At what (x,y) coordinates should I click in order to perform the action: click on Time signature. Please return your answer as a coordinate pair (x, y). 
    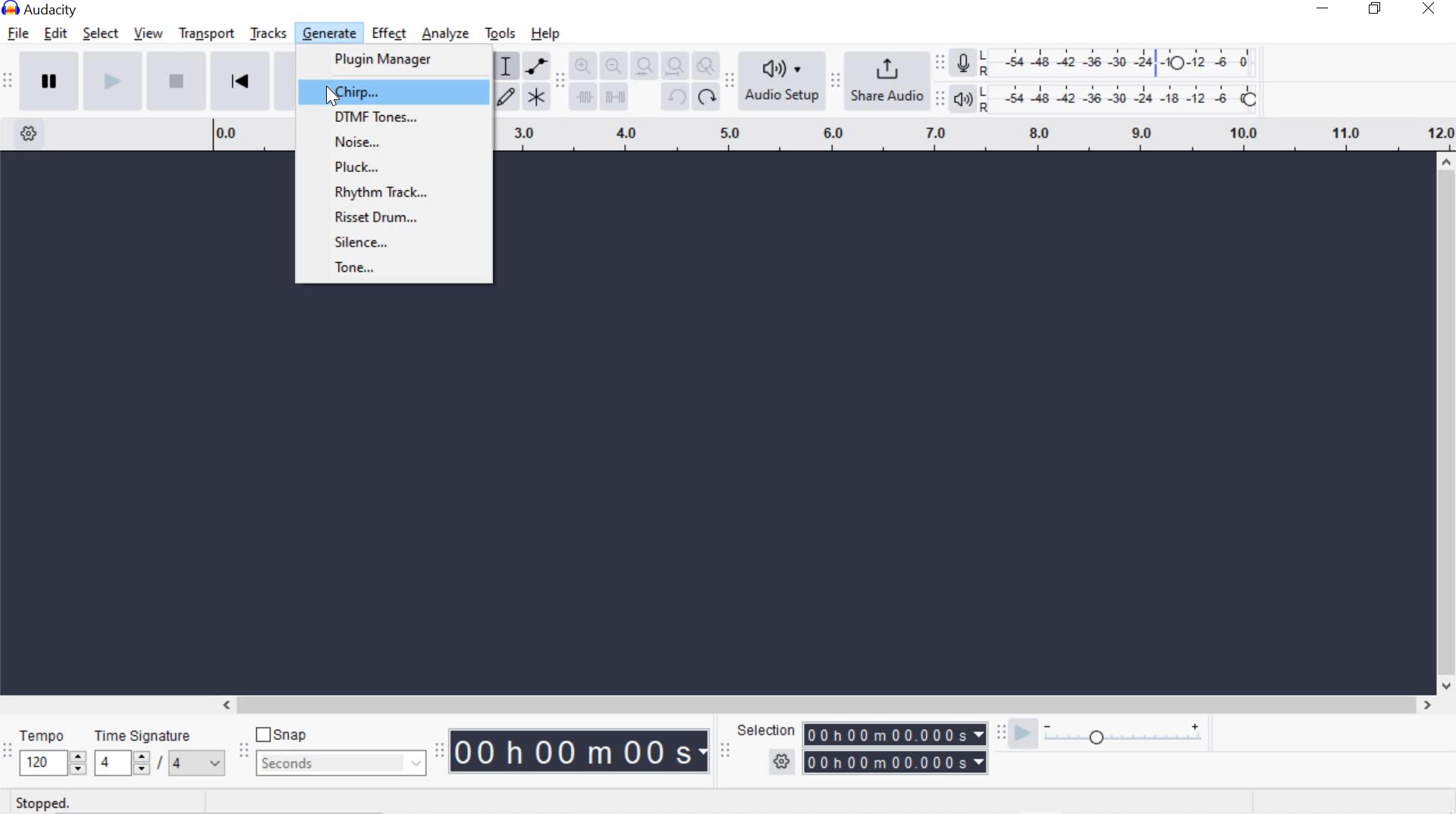
    Looking at the image, I should click on (156, 750).